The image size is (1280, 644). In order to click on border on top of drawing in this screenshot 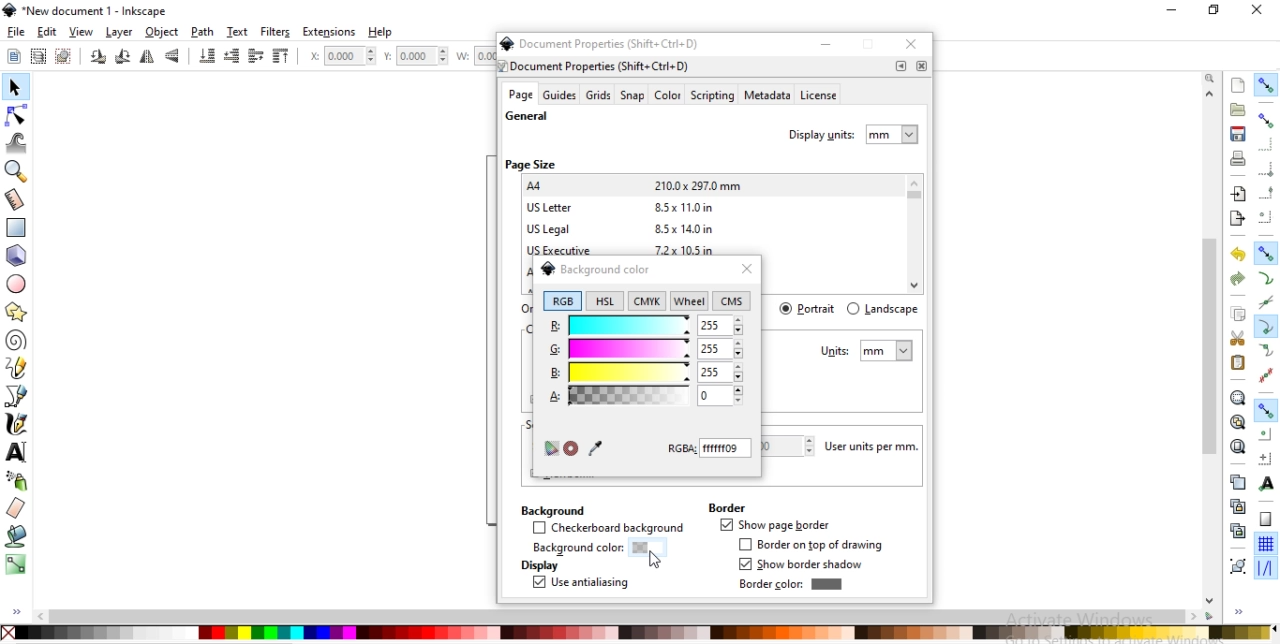, I will do `click(815, 545)`.